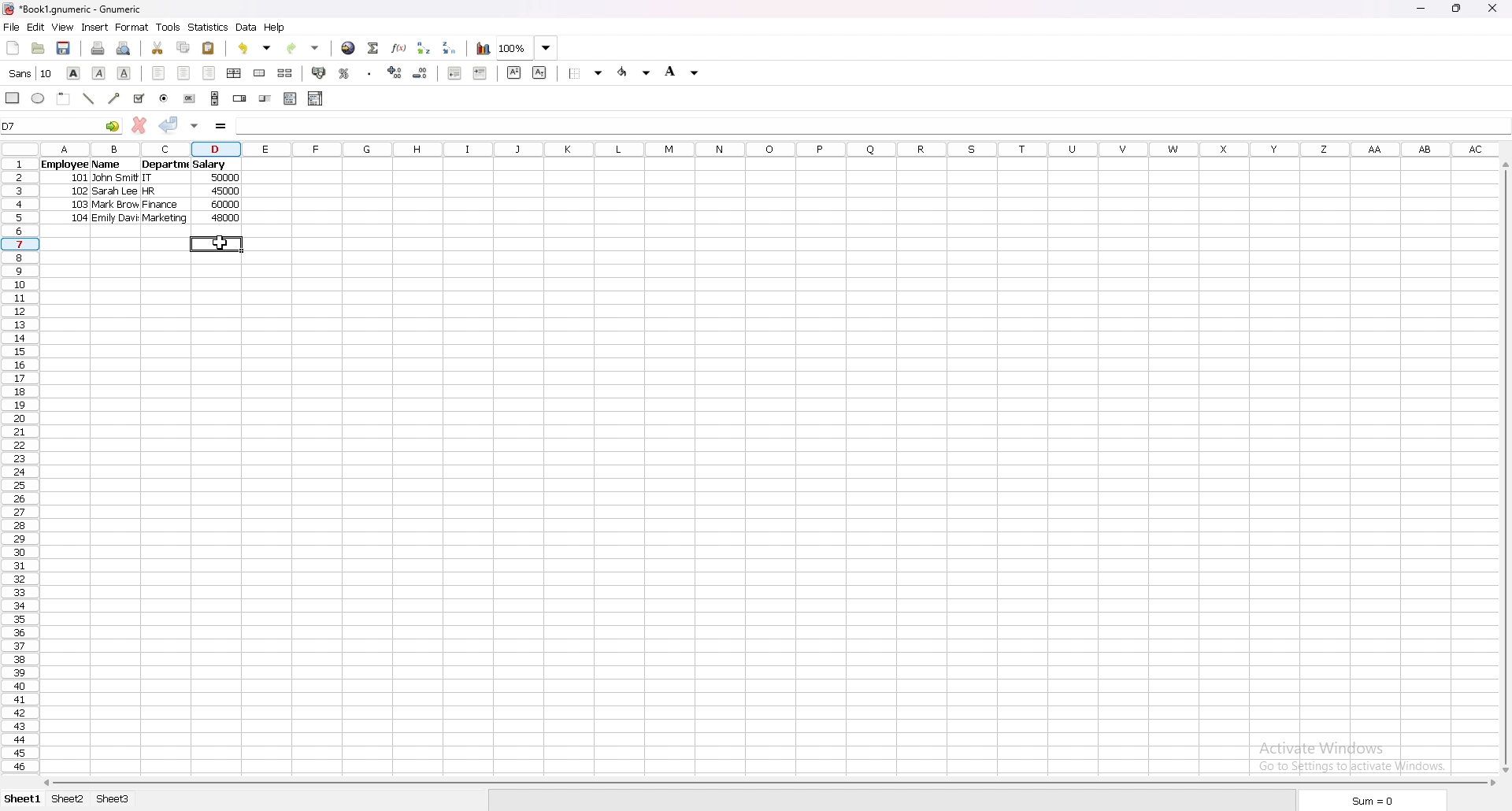 This screenshot has width=1512, height=811. What do you see at coordinates (37, 98) in the screenshot?
I see `ellipse` at bounding box center [37, 98].